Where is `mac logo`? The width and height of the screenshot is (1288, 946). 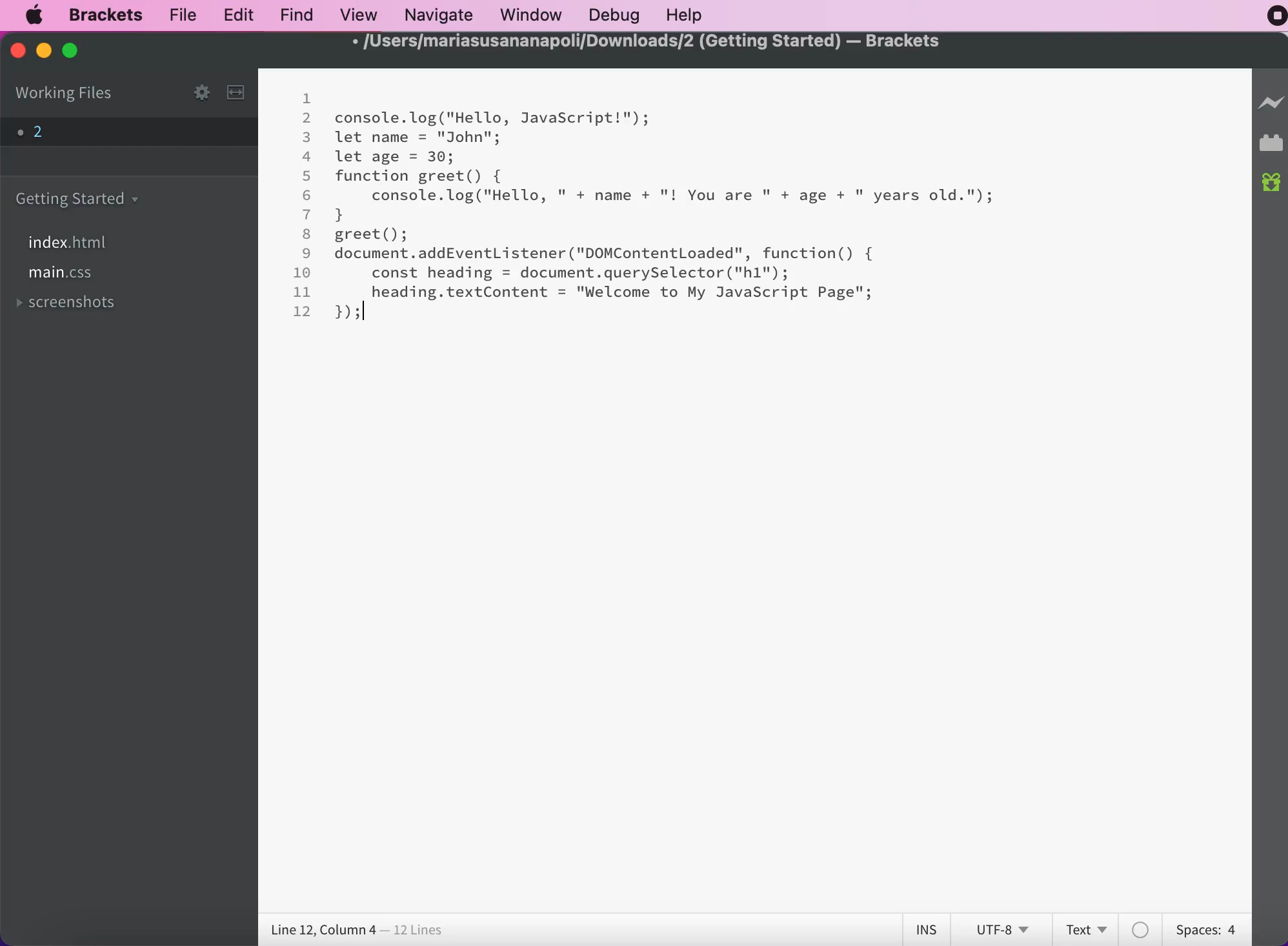 mac logo is located at coordinates (35, 15).